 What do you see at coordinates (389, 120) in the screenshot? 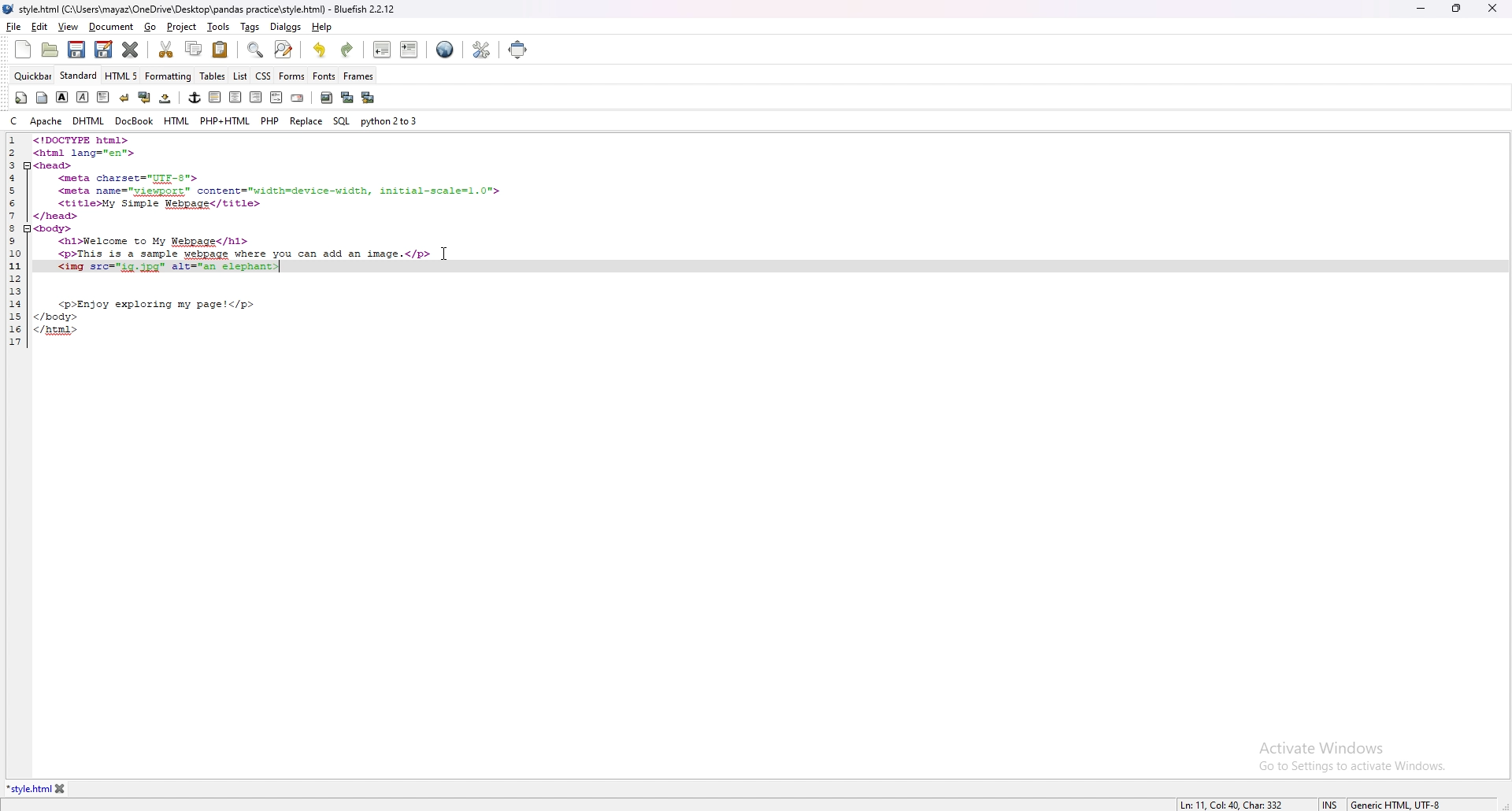
I see `python 2to3` at bounding box center [389, 120].